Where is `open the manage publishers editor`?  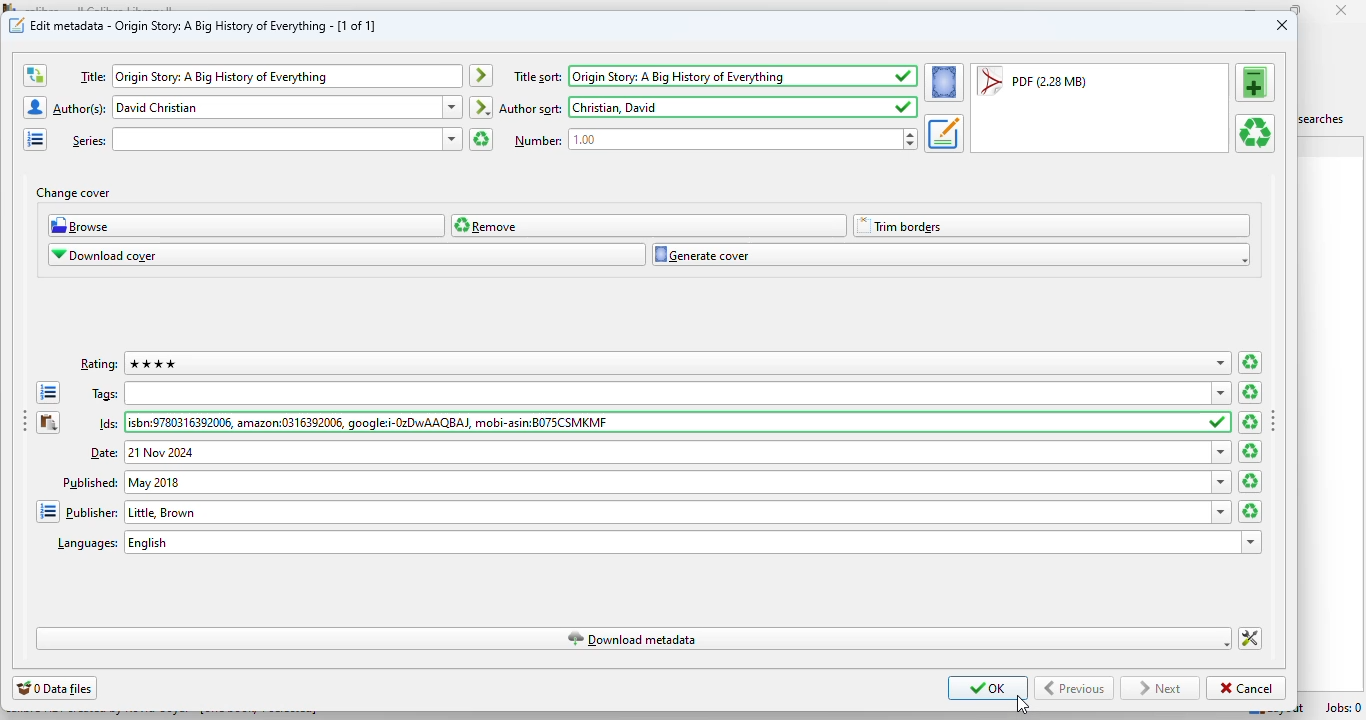
open the manage publishers editor is located at coordinates (48, 512).